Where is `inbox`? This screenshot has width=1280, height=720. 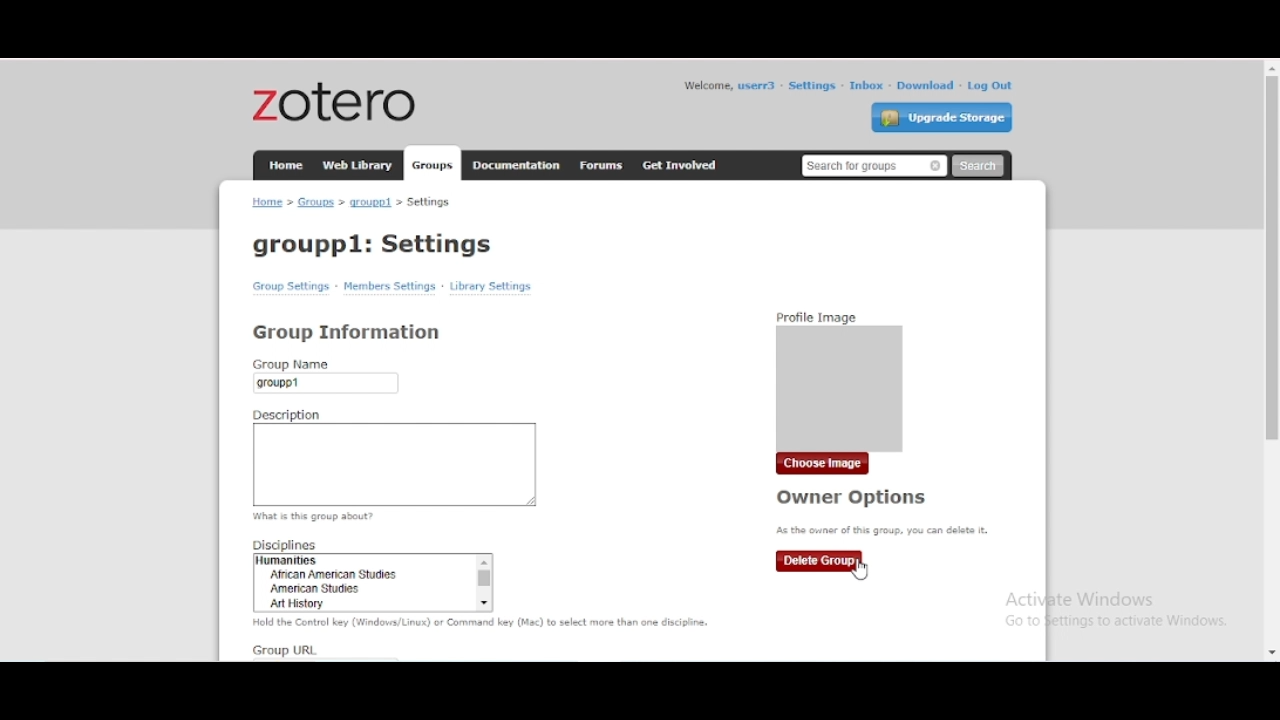
inbox is located at coordinates (867, 85).